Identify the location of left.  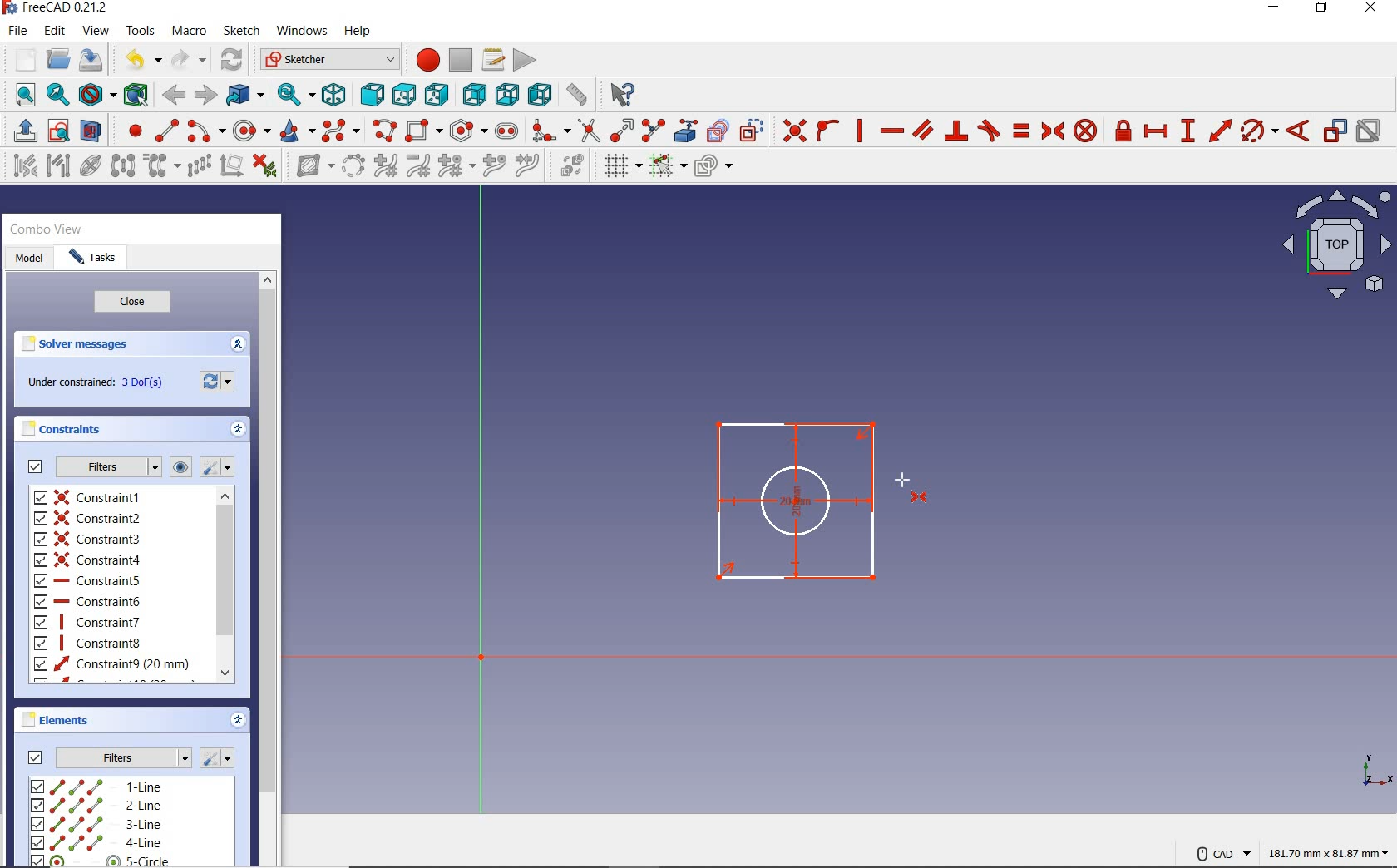
(540, 94).